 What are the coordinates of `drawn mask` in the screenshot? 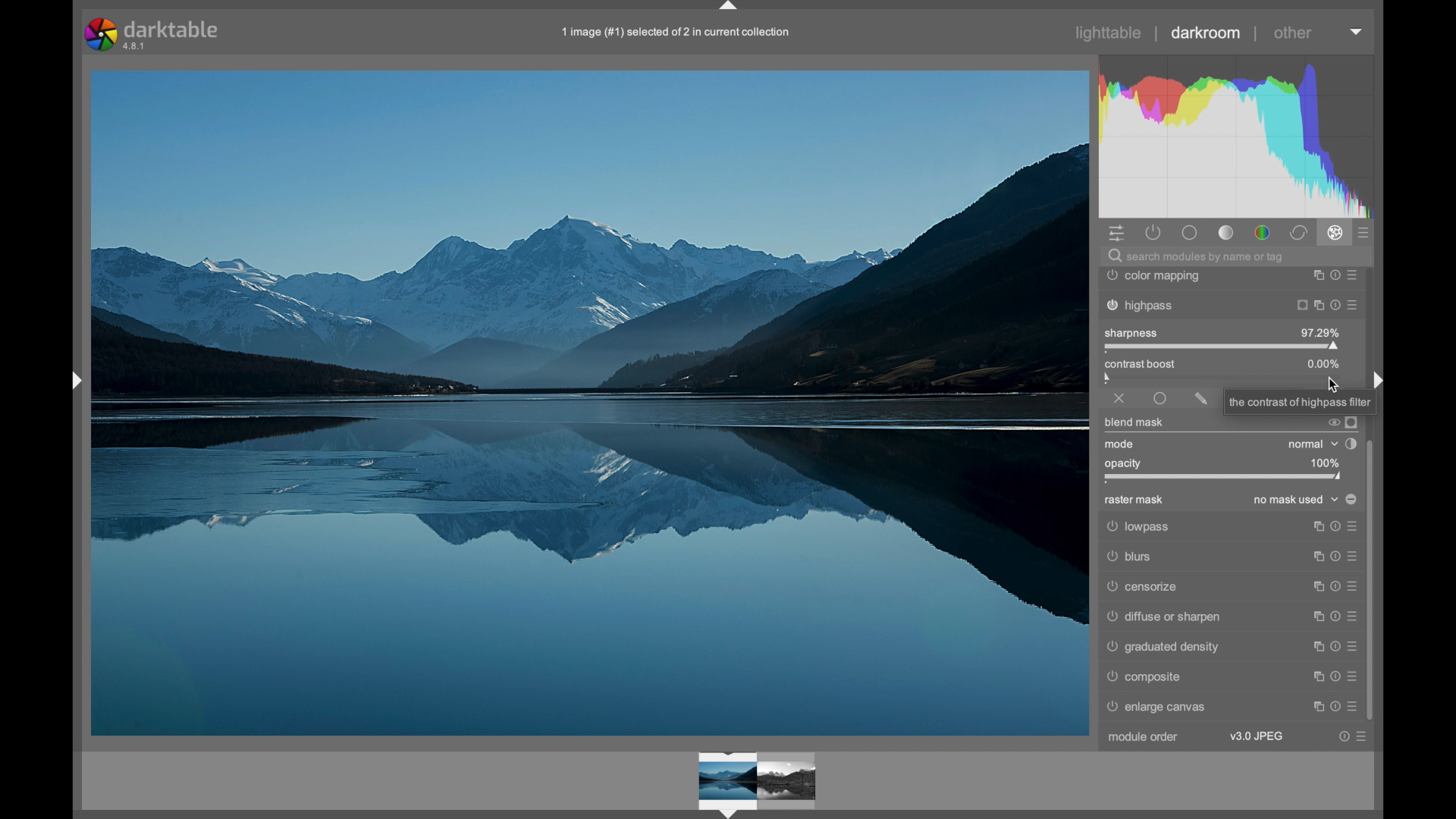 It's located at (1201, 399).